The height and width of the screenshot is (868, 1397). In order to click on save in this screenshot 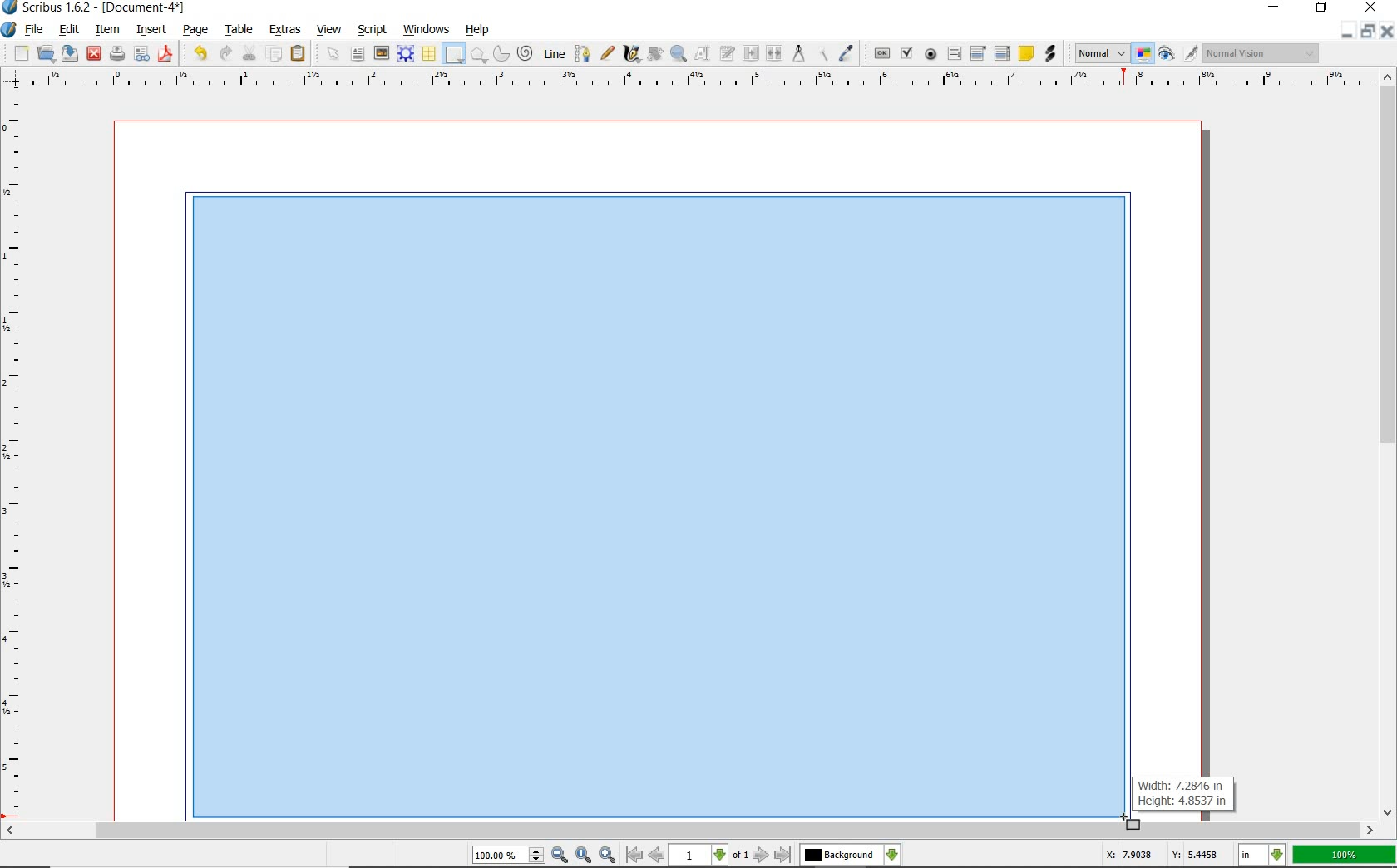, I will do `click(71, 54)`.